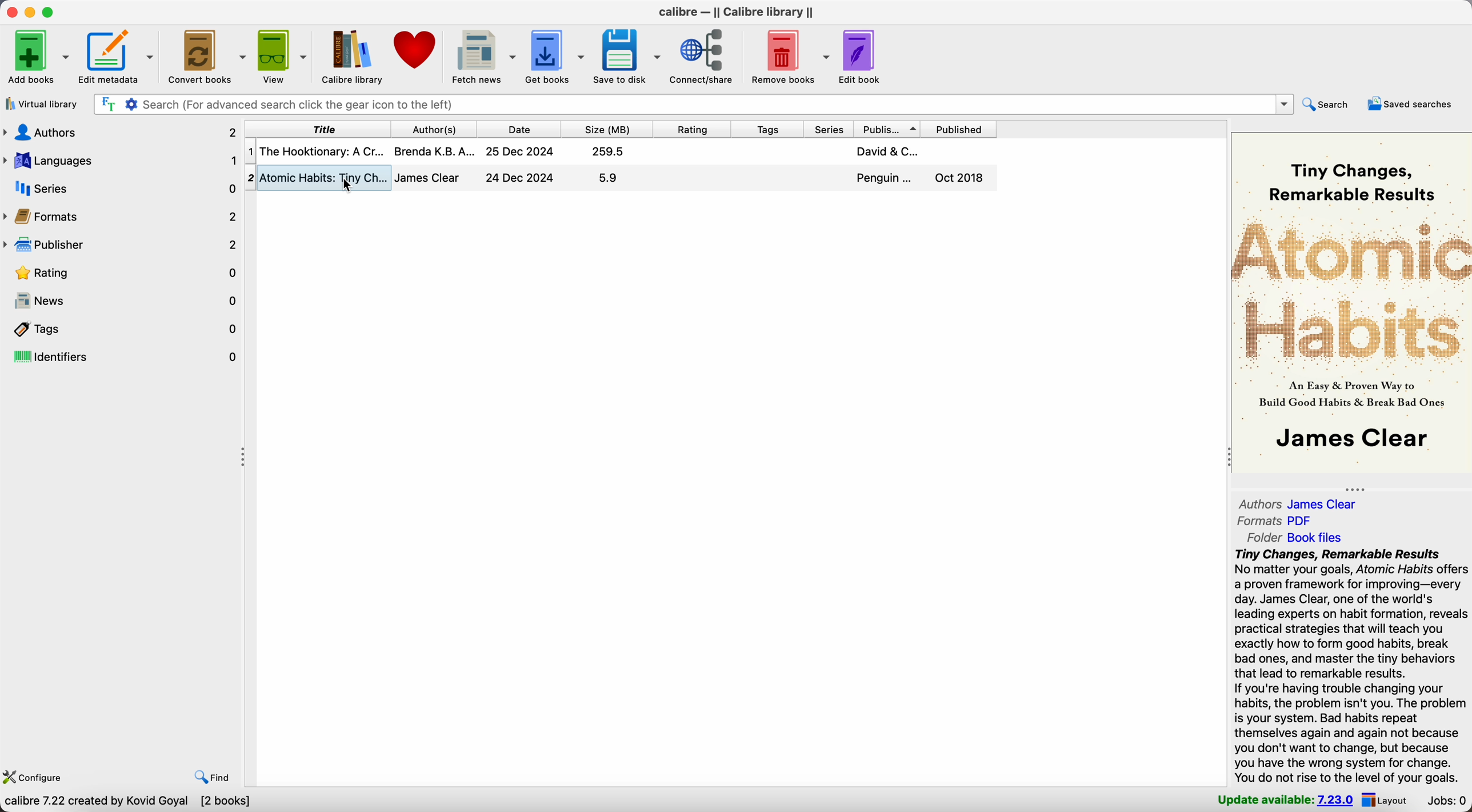 This screenshot has width=1472, height=812. I want to click on 2| Atomic Habits: Tiny Ch..., so click(325, 177).